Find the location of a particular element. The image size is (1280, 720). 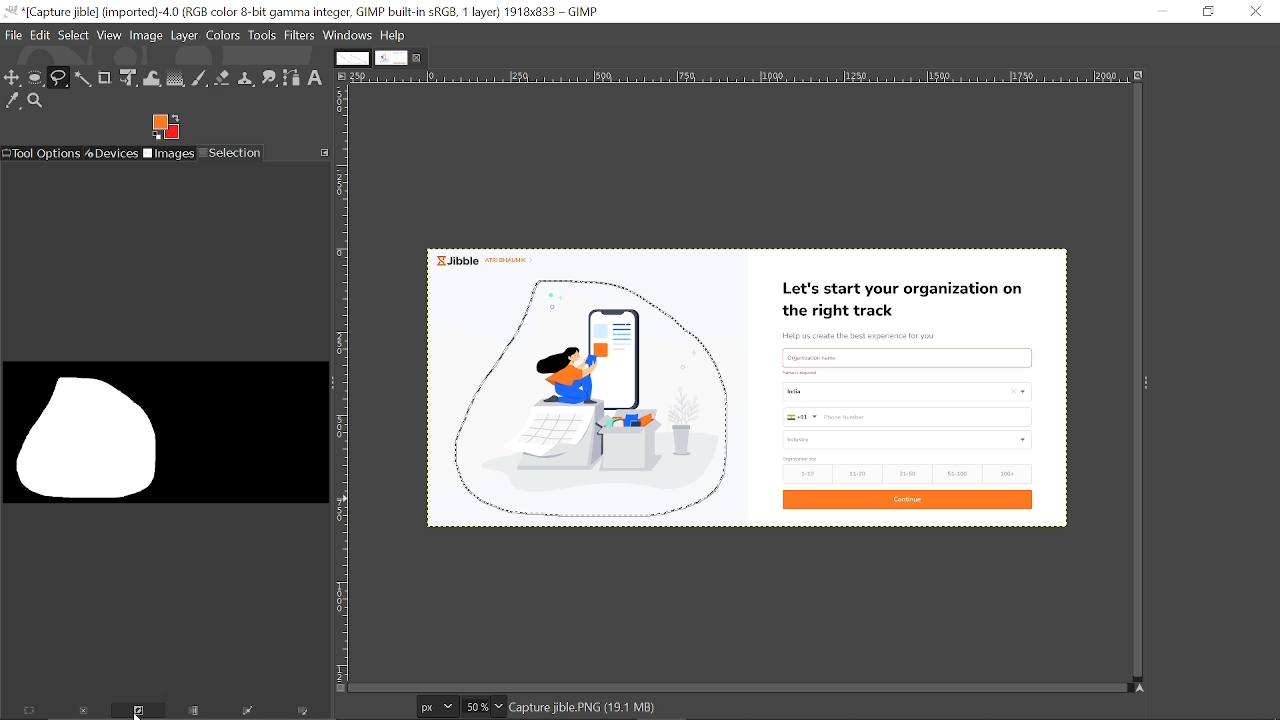

View is located at coordinates (110, 35).